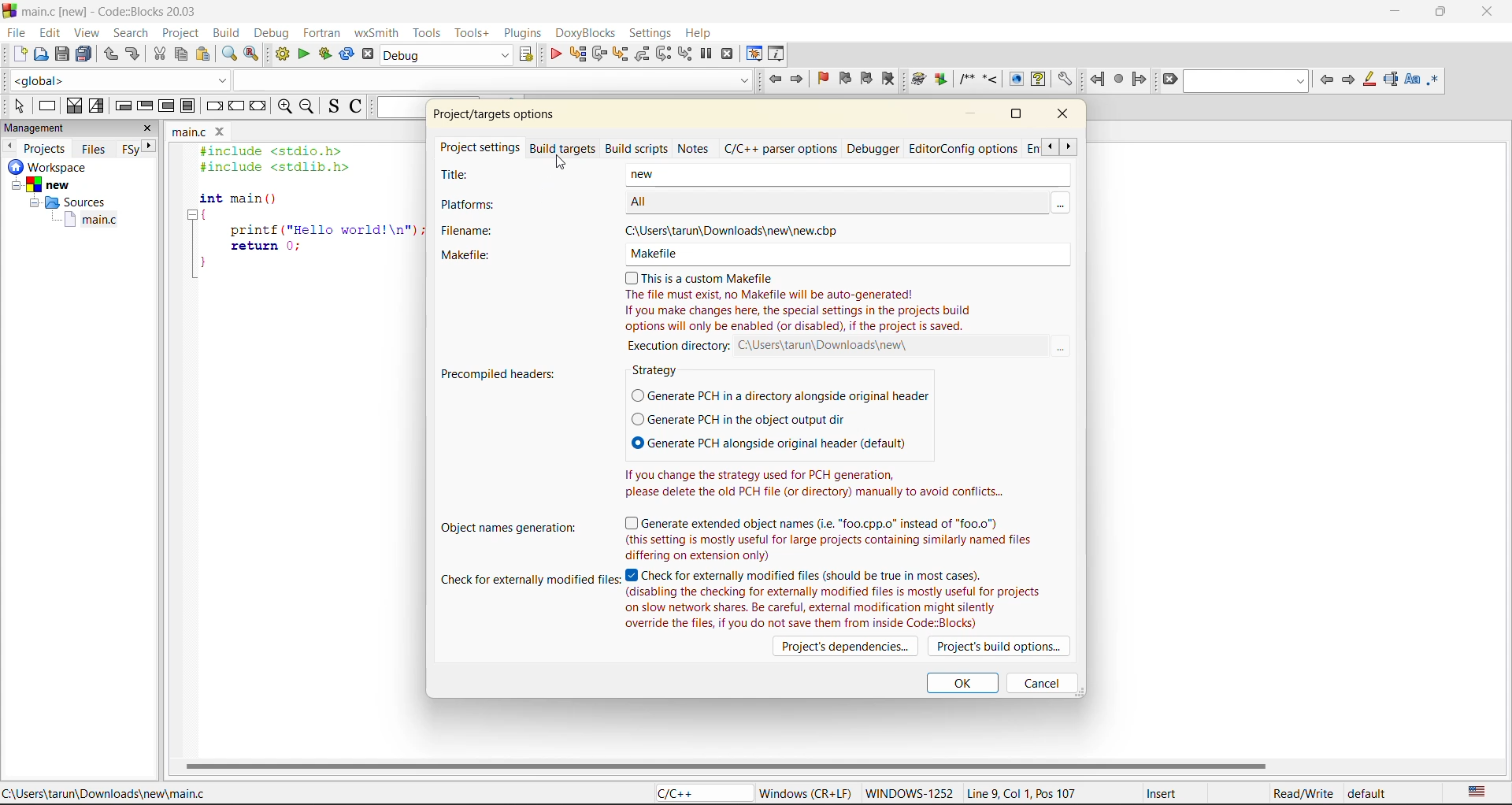 This screenshot has height=805, width=1512. I want to click on project settings, so click(480, 149).